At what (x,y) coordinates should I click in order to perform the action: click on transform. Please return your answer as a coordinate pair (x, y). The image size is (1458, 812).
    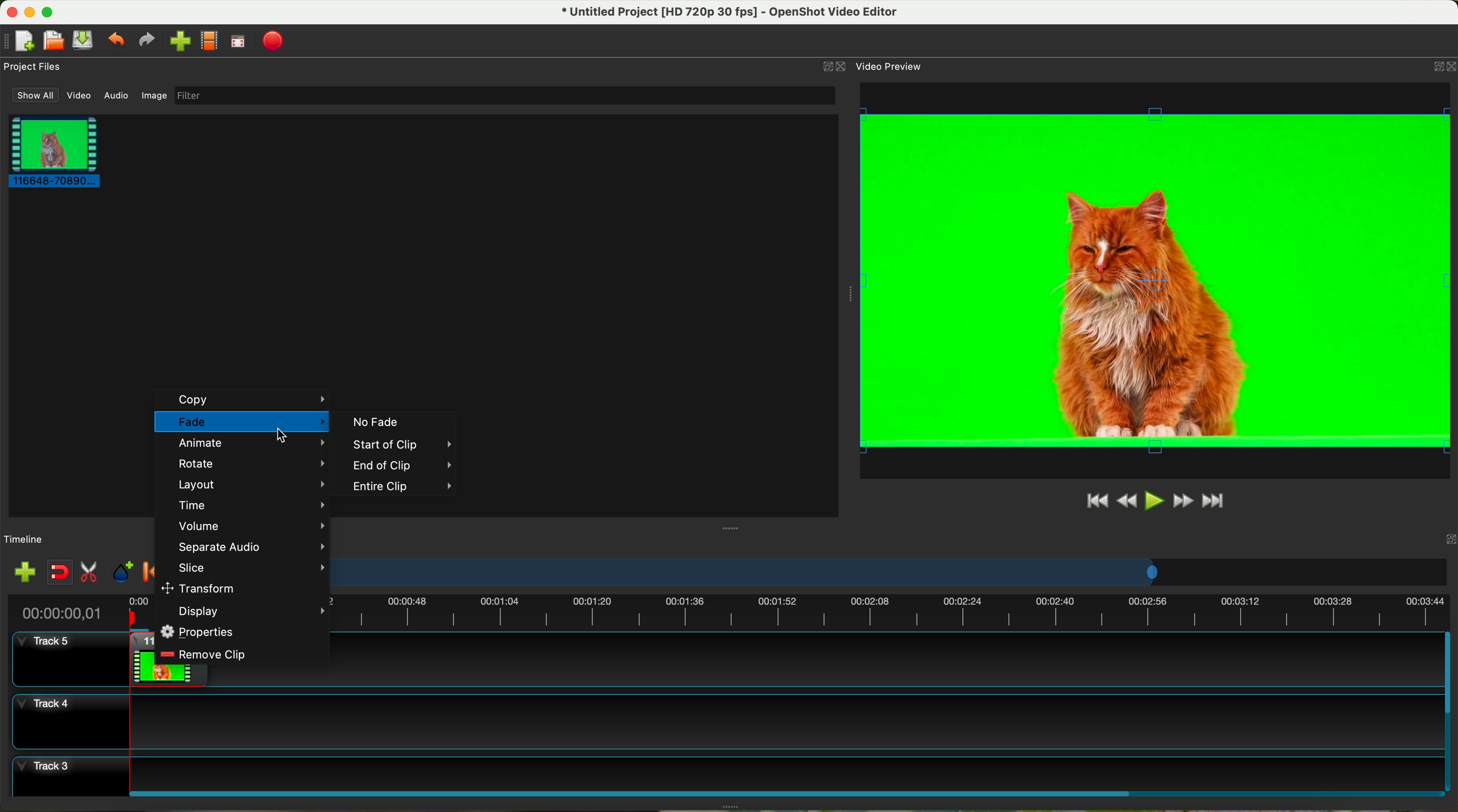
    Looking at the image, I should click on (201, 587).